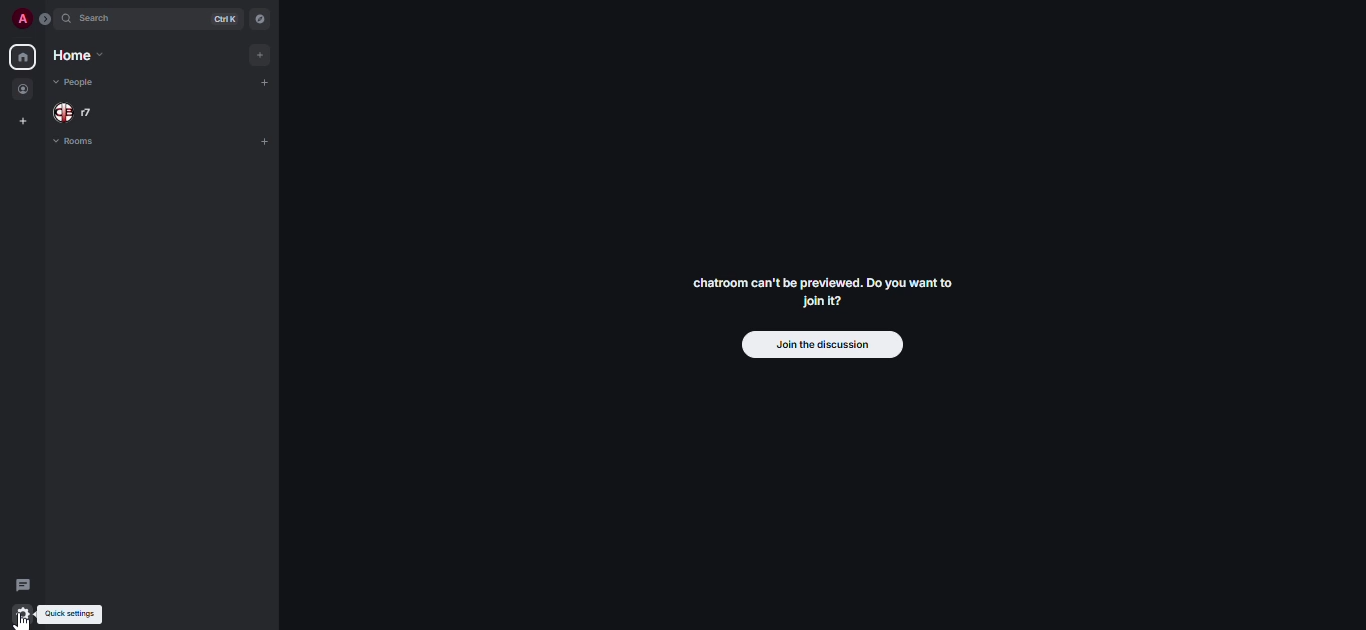 The image size is (1366, 630). Describe the element at coordinates (820, 346) in the screenshot. I see `join the discussion` at that location.